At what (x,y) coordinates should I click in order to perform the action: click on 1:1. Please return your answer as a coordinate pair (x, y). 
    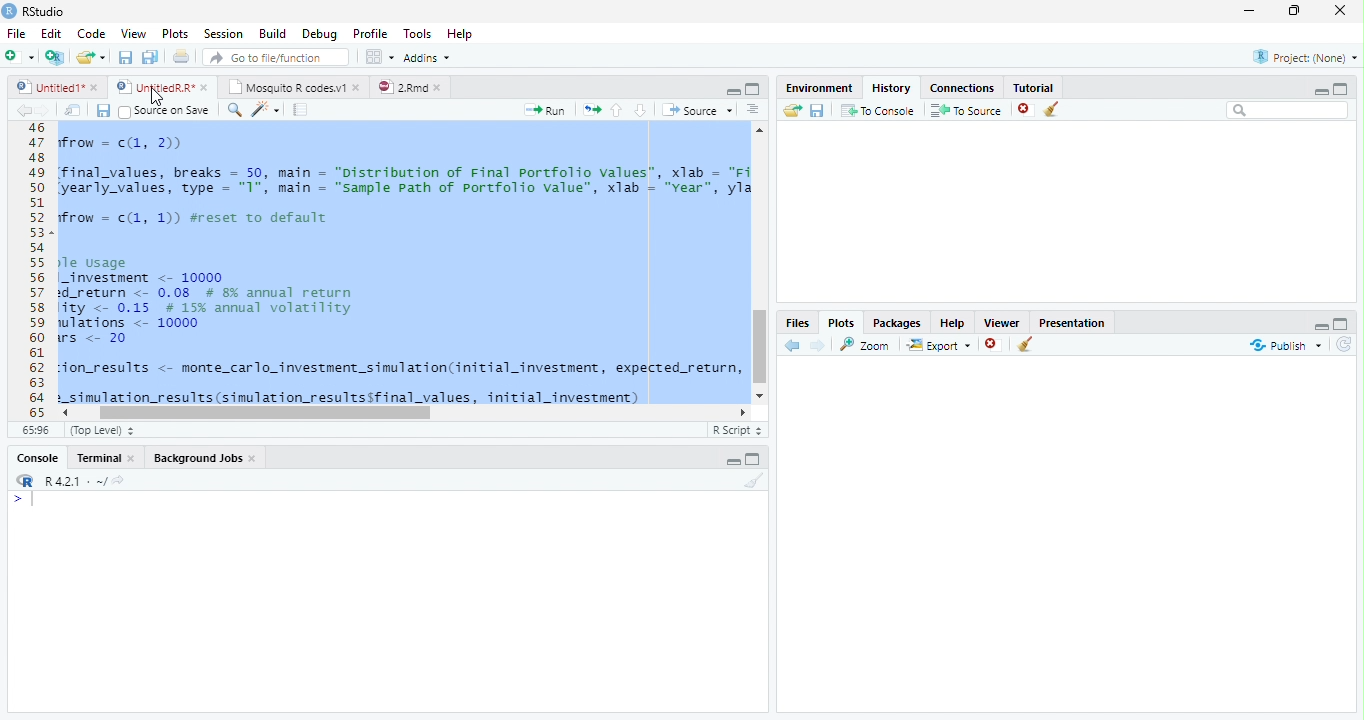
    Looking at the image, I should click on (34, 430).